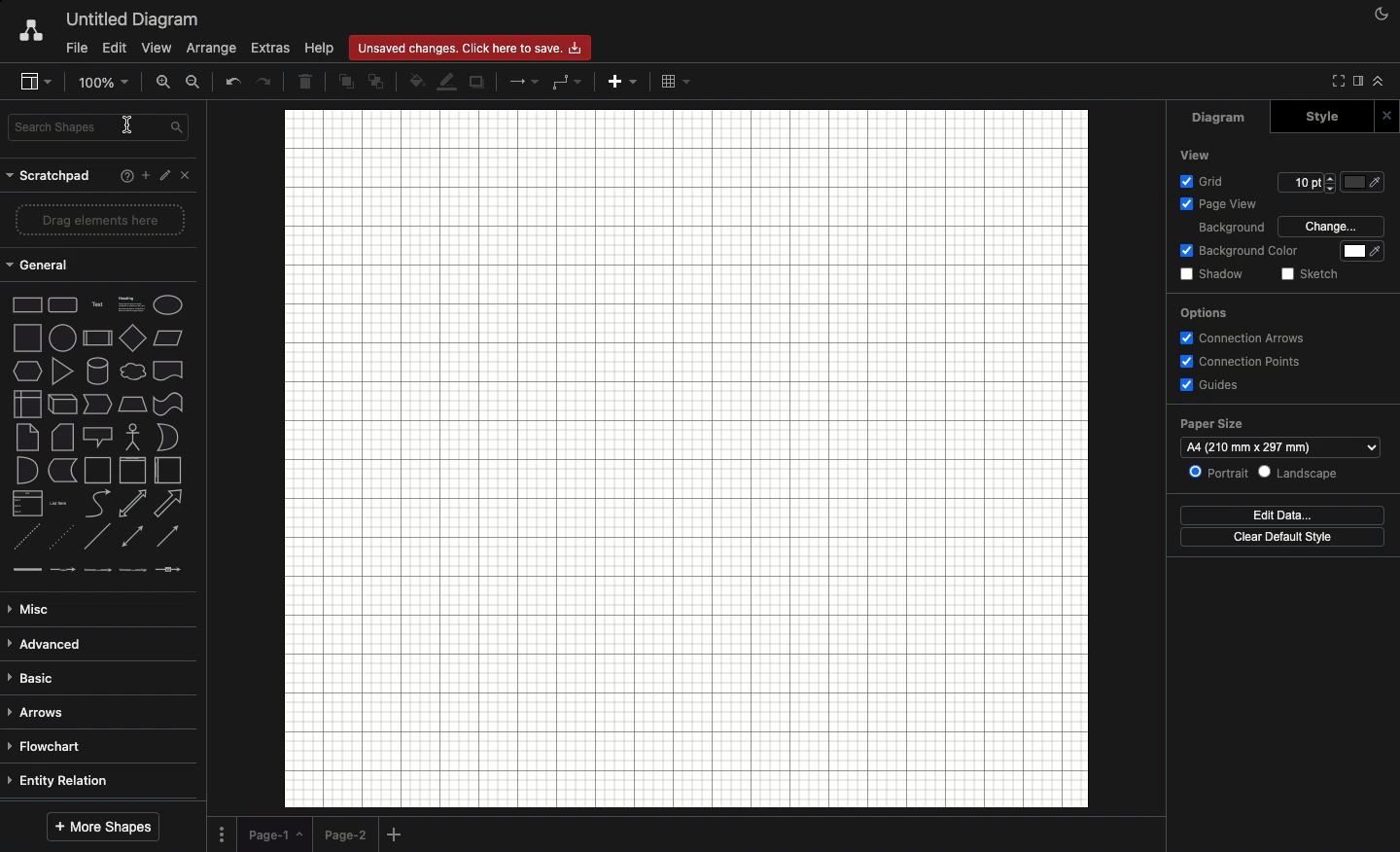 Image resolution: width=1400 pixels, height=852 pixels. I want to click on Zoom, so click(105, 81).